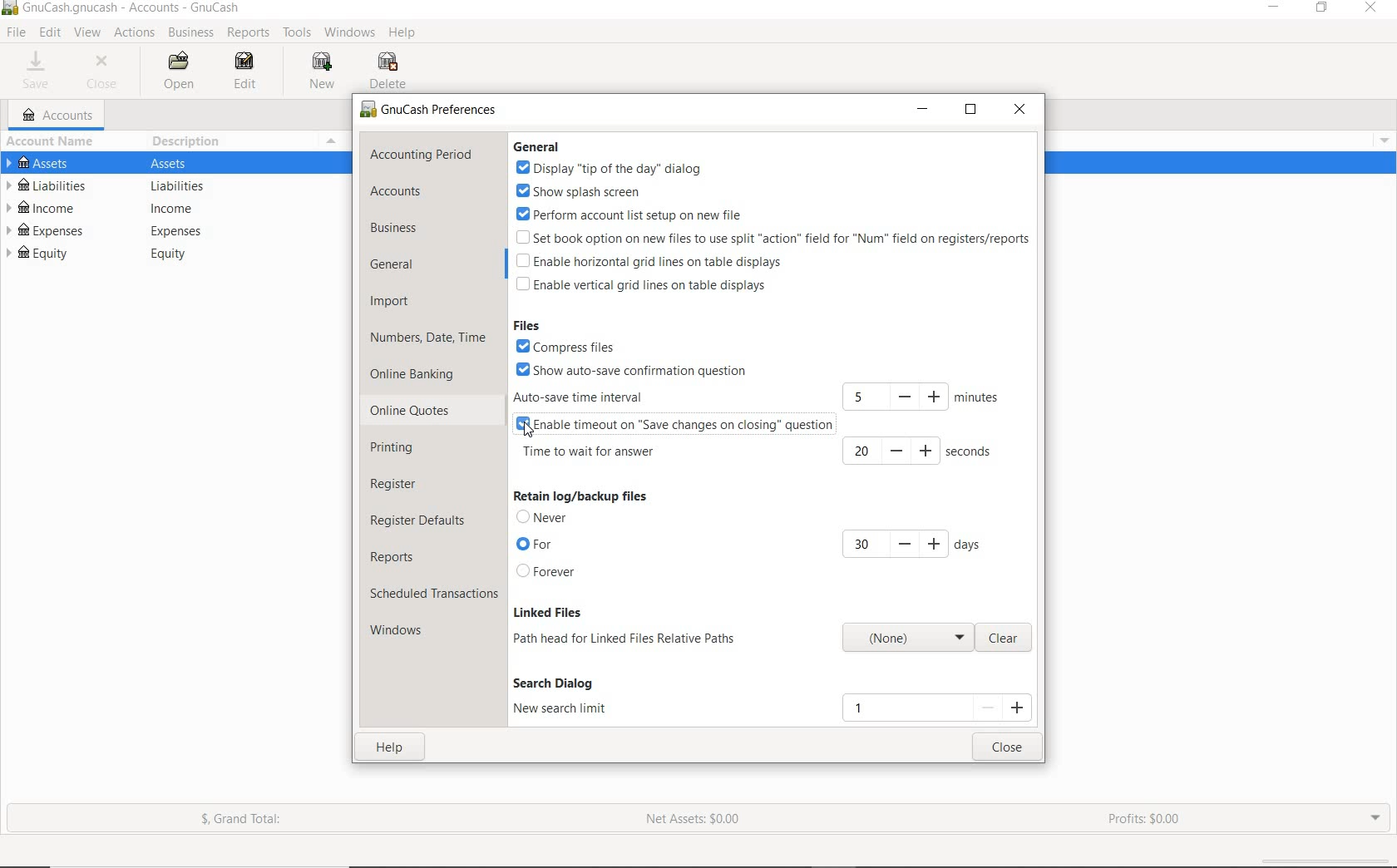 The image size is (1397, 868). Describe the element at coordinates (398, 192) in the screenshot. I see `ACCOUNTS` at that location.